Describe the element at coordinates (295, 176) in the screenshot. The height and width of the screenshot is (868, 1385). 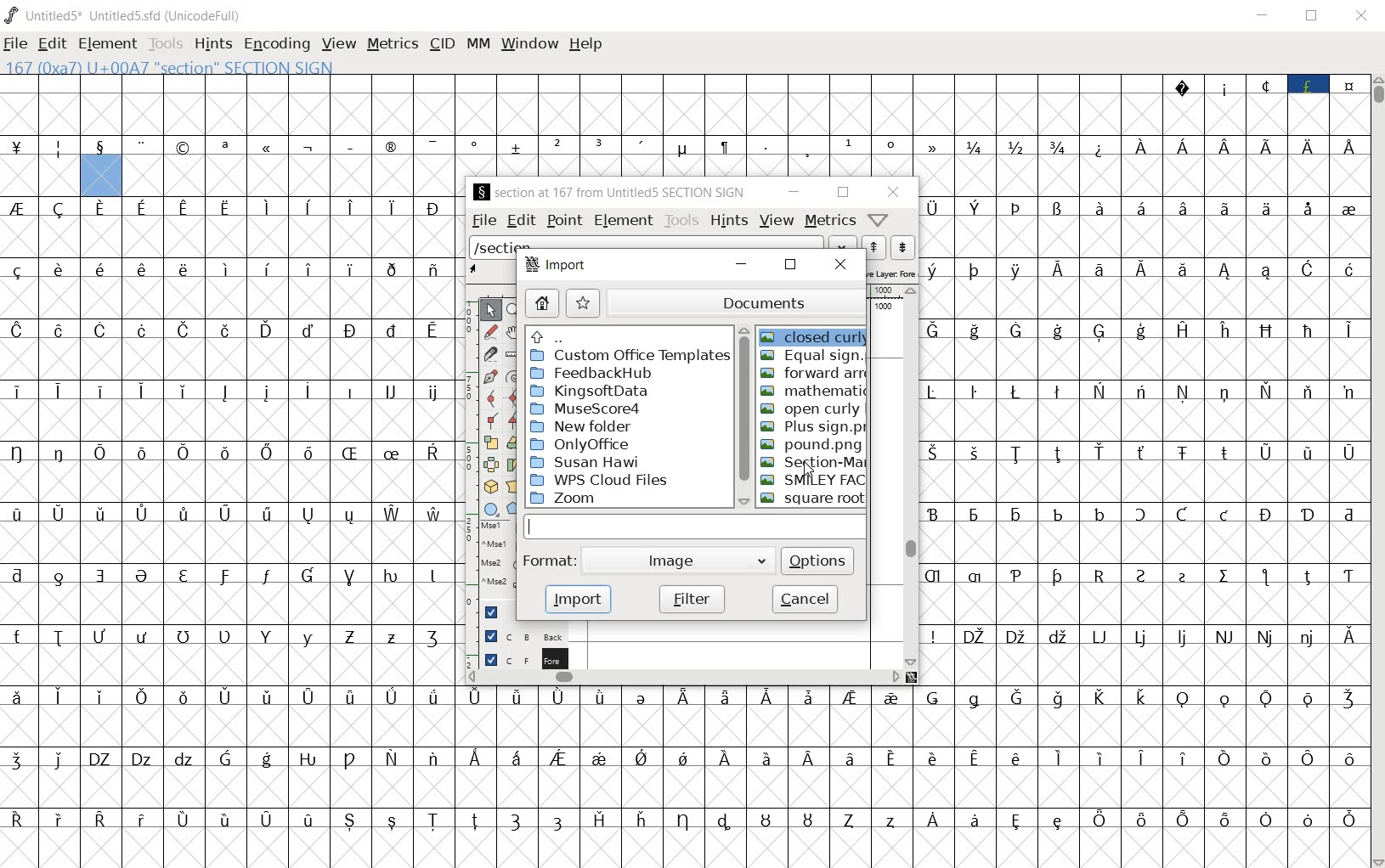
I see `empty cells` at that location.